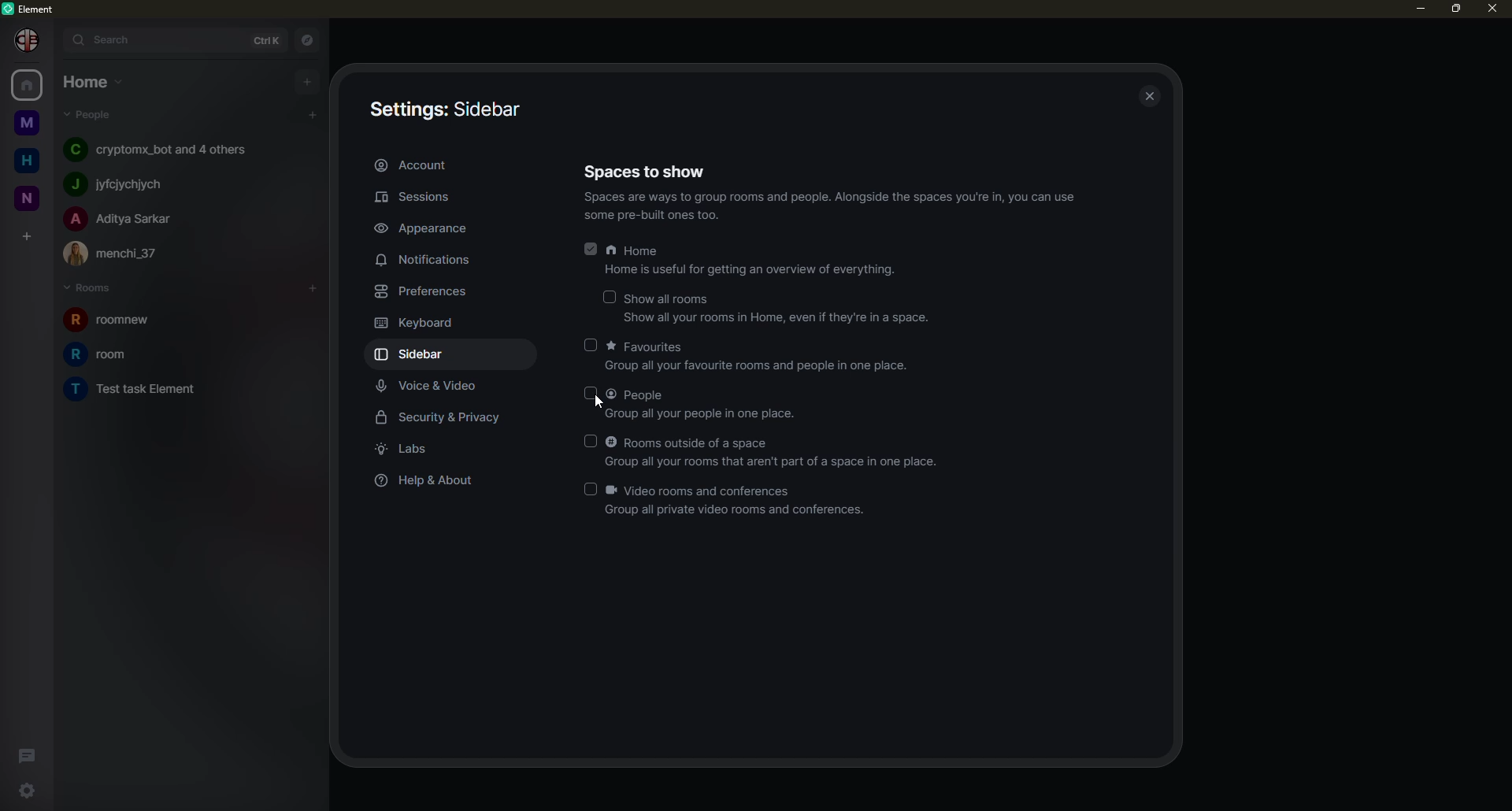  Describe the element at coordinates (121, 321) in the screenshot. I see `room` at that location.